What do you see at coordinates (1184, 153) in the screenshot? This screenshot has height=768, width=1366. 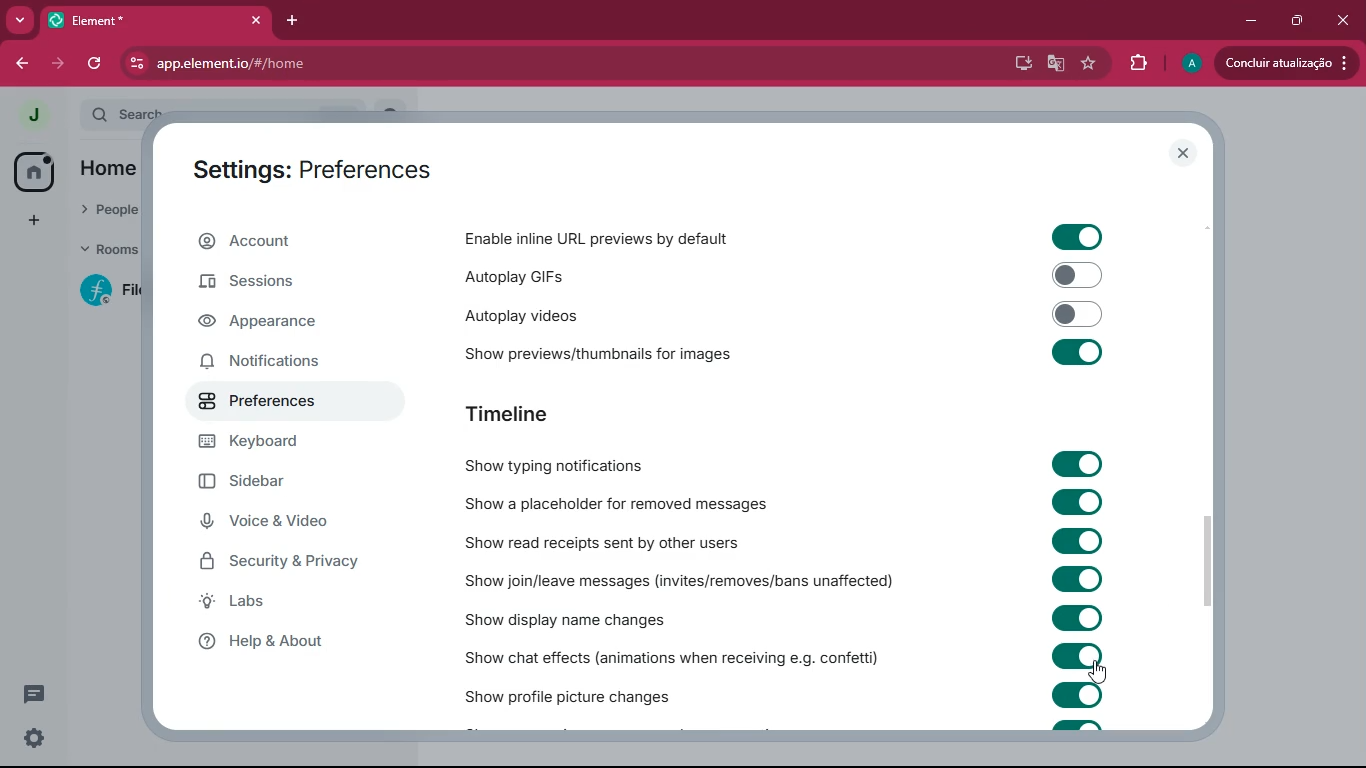 I see `close` at bounding box center [1184, 153].